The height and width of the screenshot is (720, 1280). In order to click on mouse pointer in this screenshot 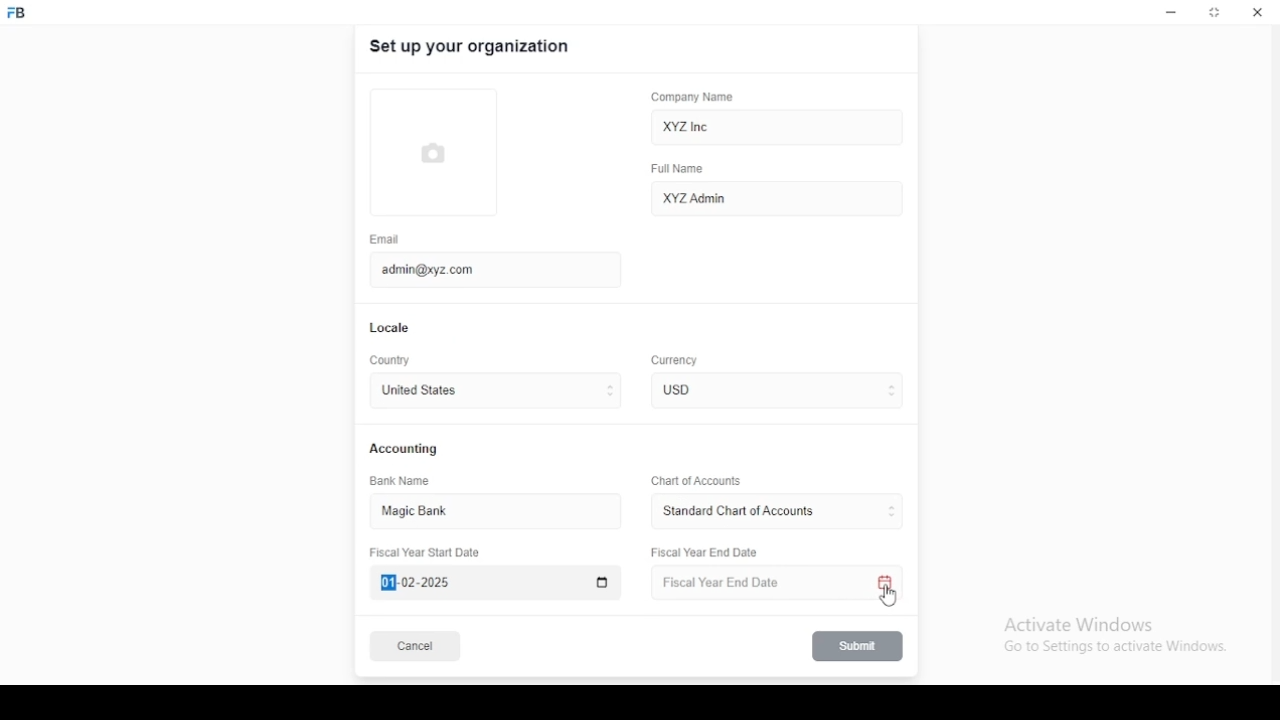, I will do `click(883, 598)`.